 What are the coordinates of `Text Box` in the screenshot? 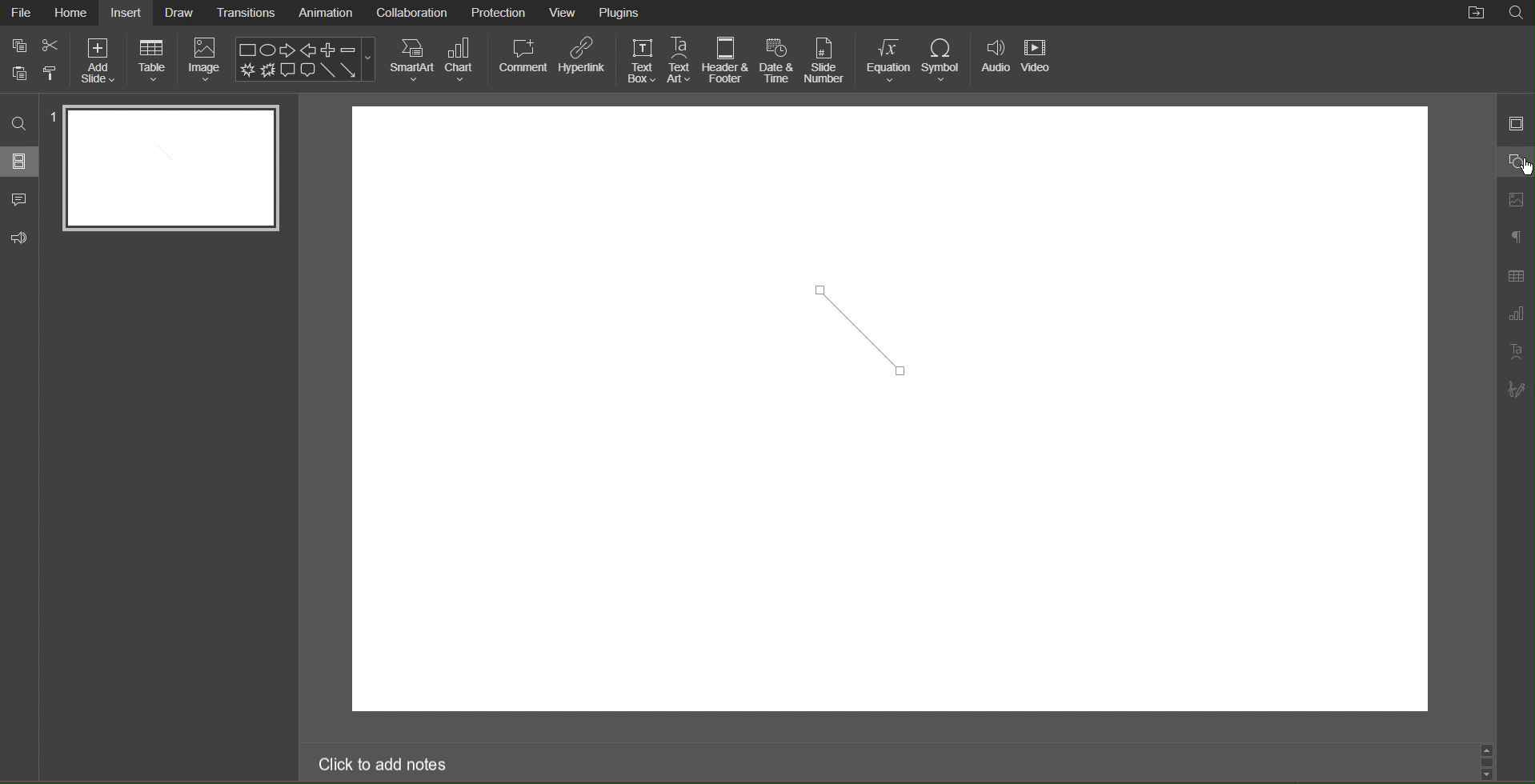 It's located at (639, 59).